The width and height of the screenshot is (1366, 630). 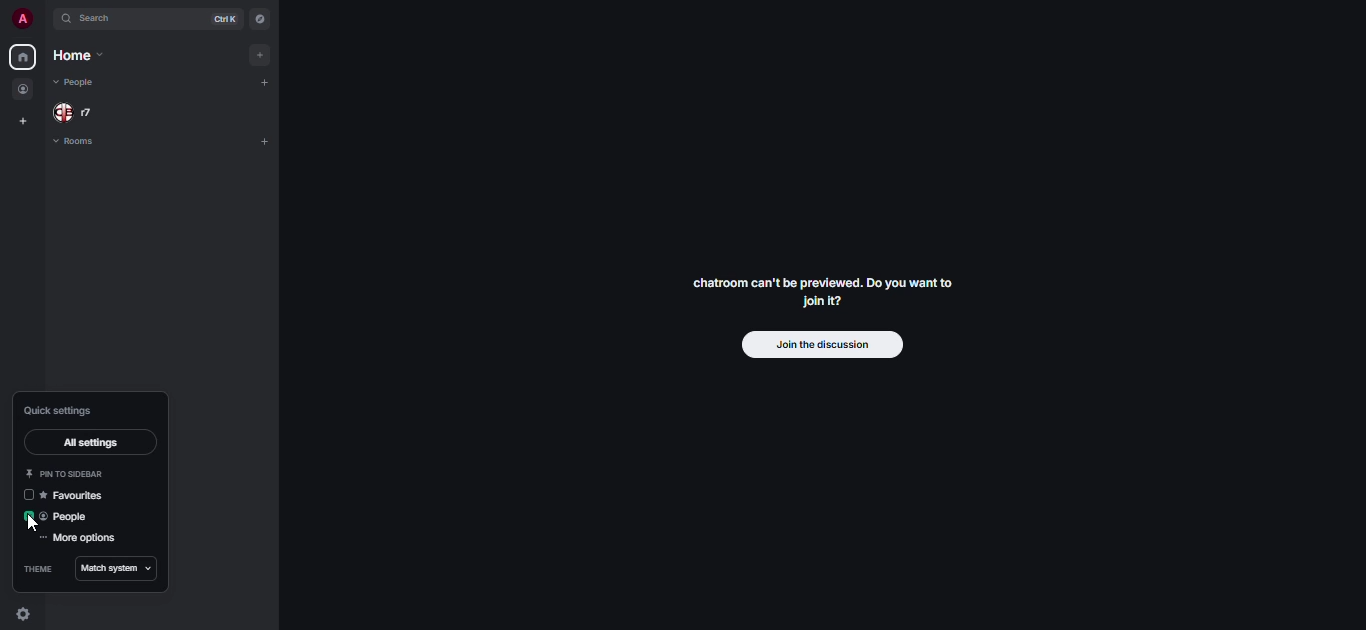 What do you see at coordinates (68, 473) in the screenshot?
I see `pin to sidebar` at bounding box center [68, 473].